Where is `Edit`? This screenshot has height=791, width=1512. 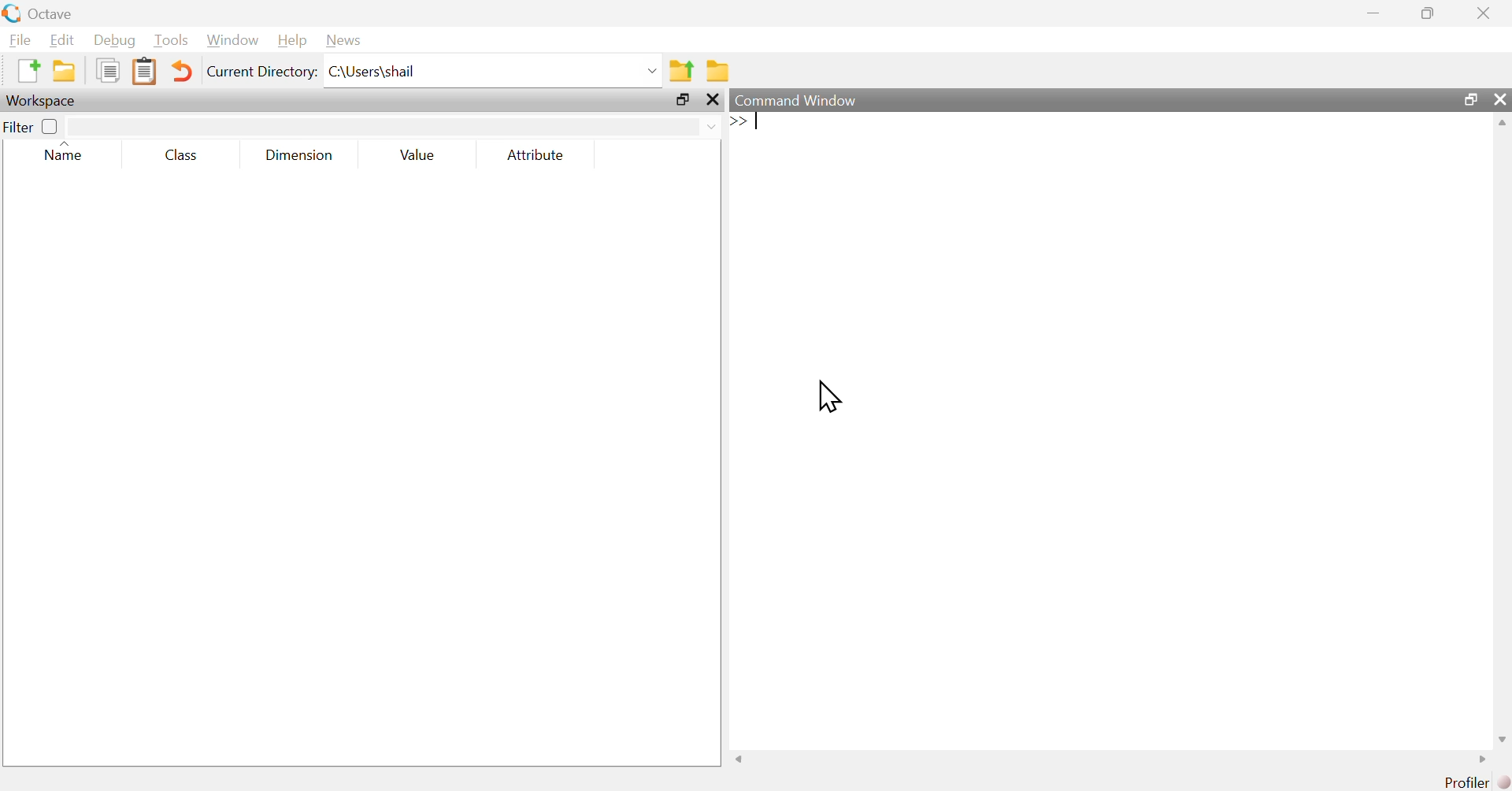 Edit is located at coordinates (61, 39).